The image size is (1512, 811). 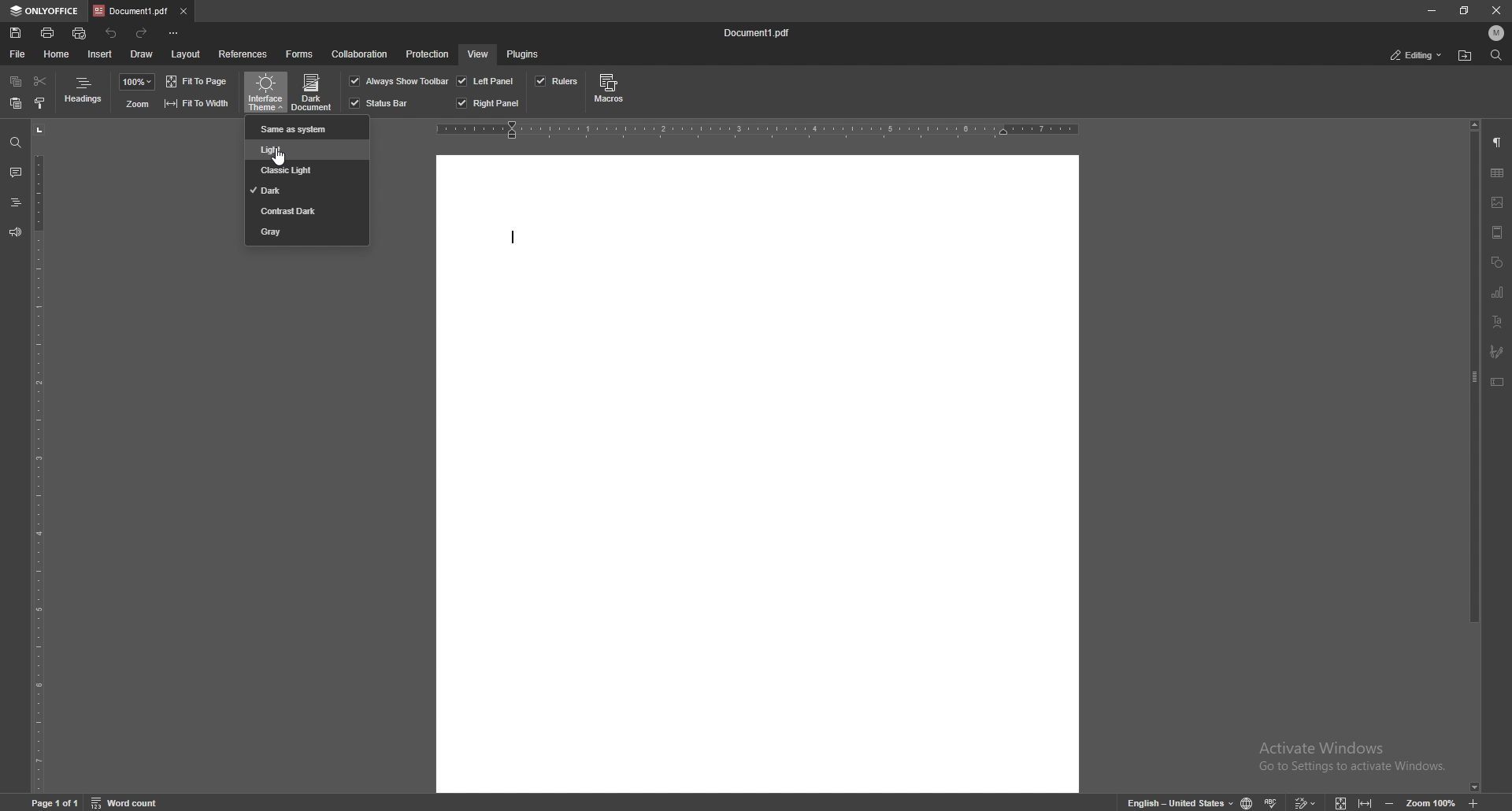 What do you see at coordinates (1304, 800) in the screenshot?
I see `track changes` at bounding box center [1304, 800].